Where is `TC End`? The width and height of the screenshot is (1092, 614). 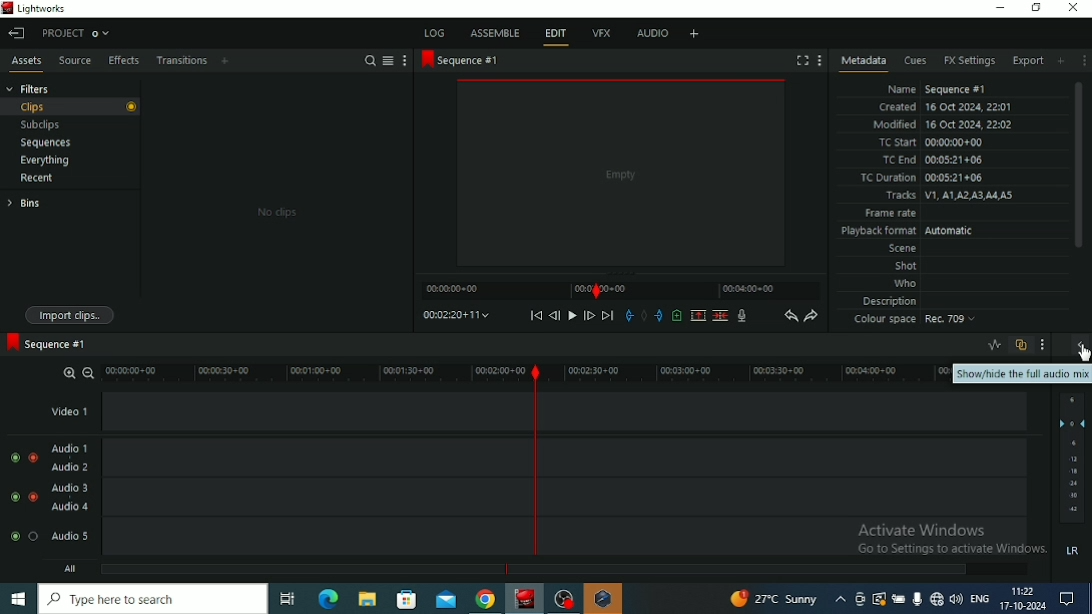 TC End is located at coordinates (934, 161).